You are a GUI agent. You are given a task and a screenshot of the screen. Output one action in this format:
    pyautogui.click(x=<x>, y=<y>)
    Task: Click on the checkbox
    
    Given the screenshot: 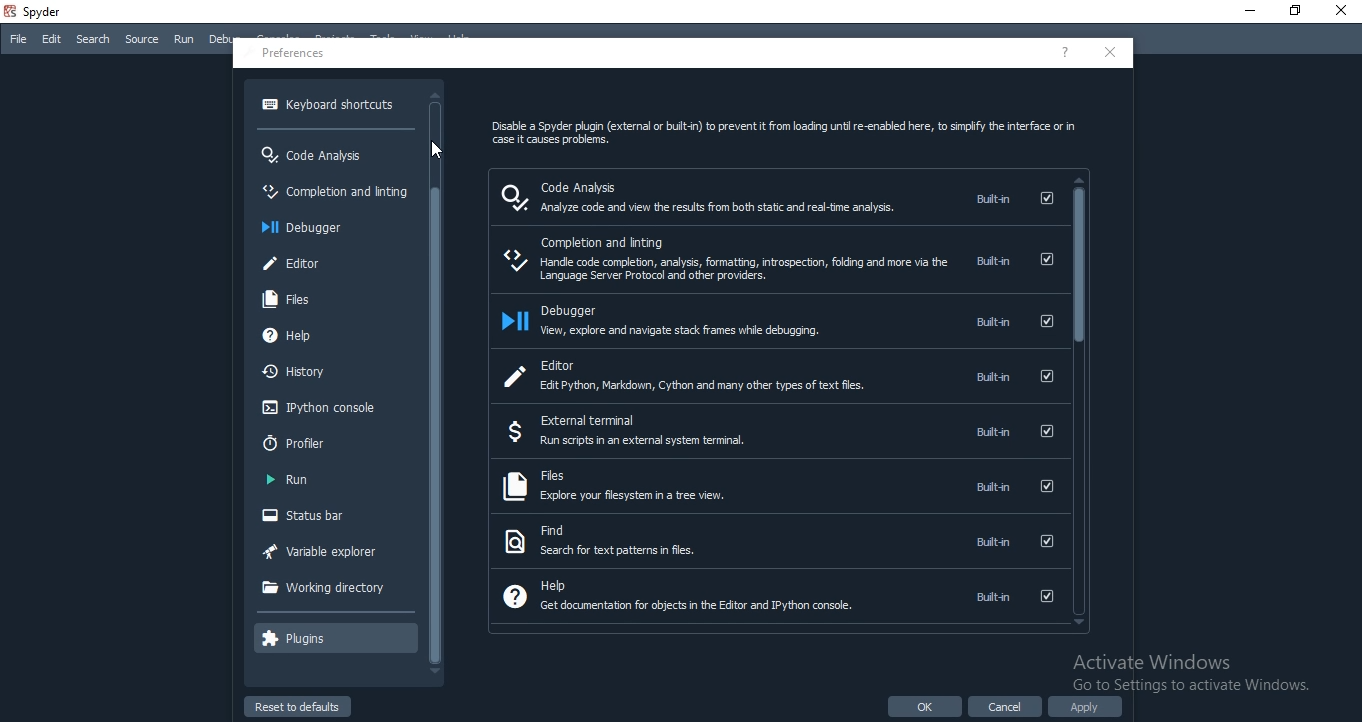 What is the action you would take?
    pyautogui.click(x=1046, y=322)
    